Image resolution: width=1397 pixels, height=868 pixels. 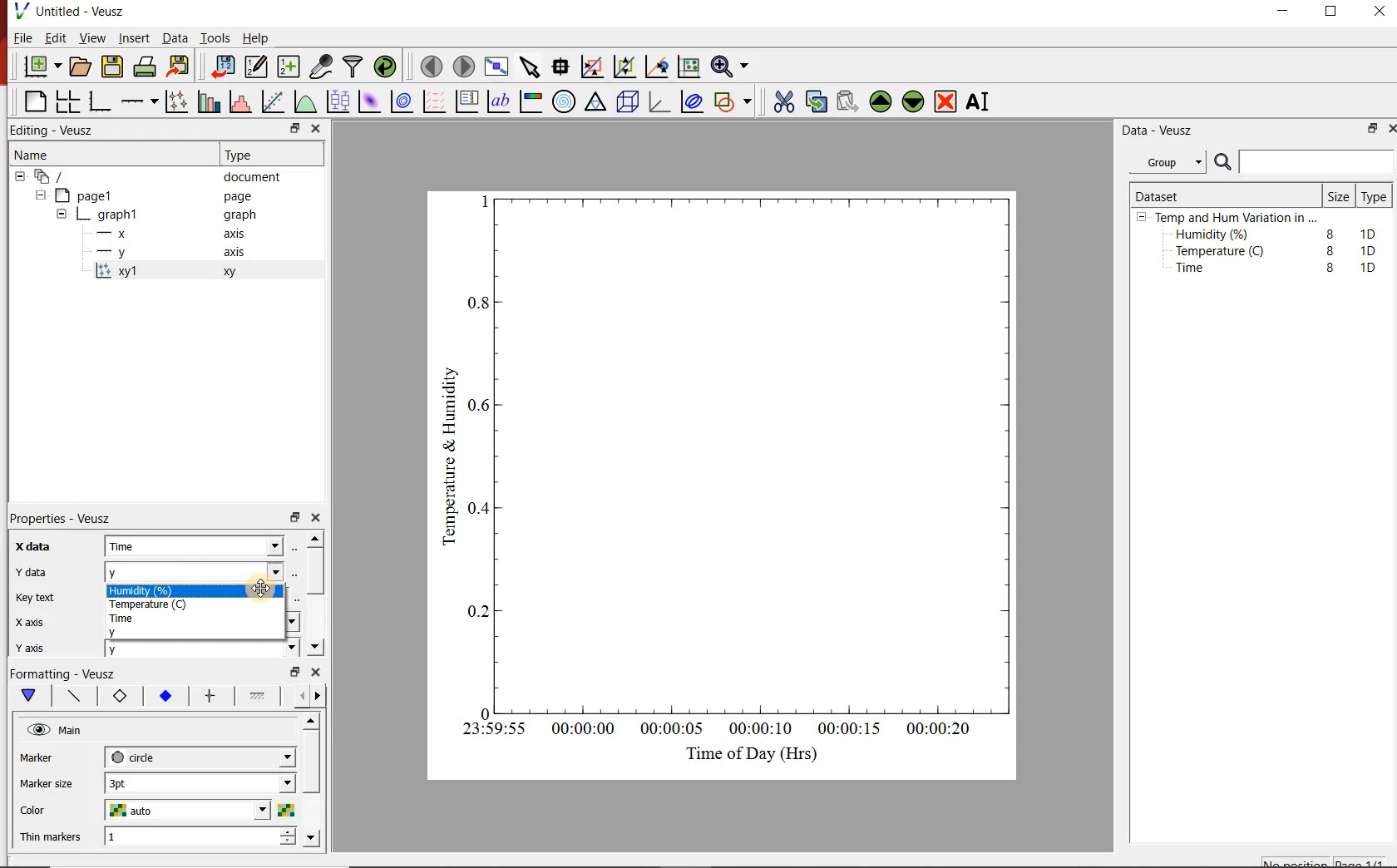 What do you see at coordinates (881, 100) in the screenshot?
I see `Move the selected widget up` at bounding box center [881, 100].